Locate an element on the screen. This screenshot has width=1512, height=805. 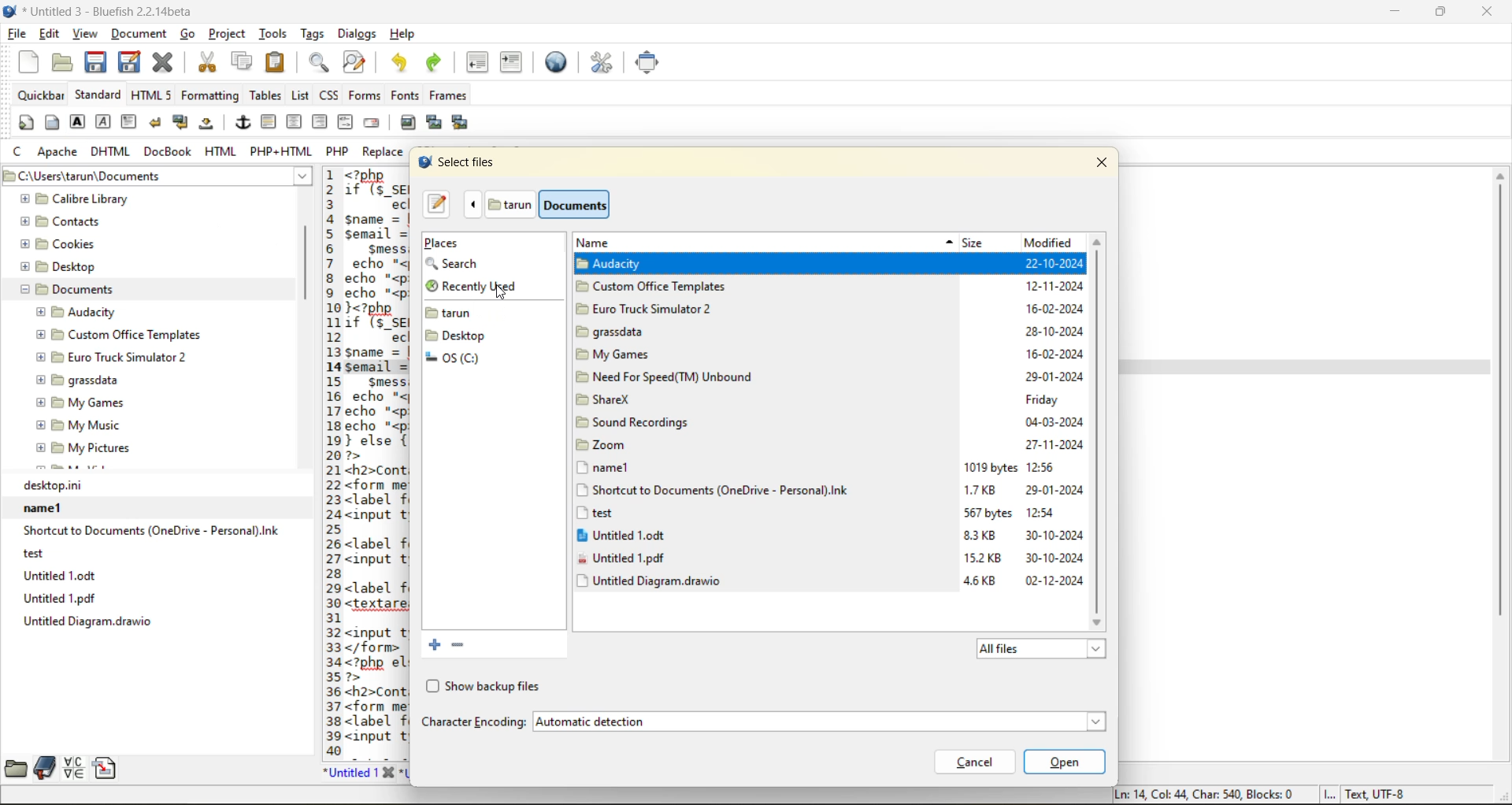
project is located at coordinates (229, 36).